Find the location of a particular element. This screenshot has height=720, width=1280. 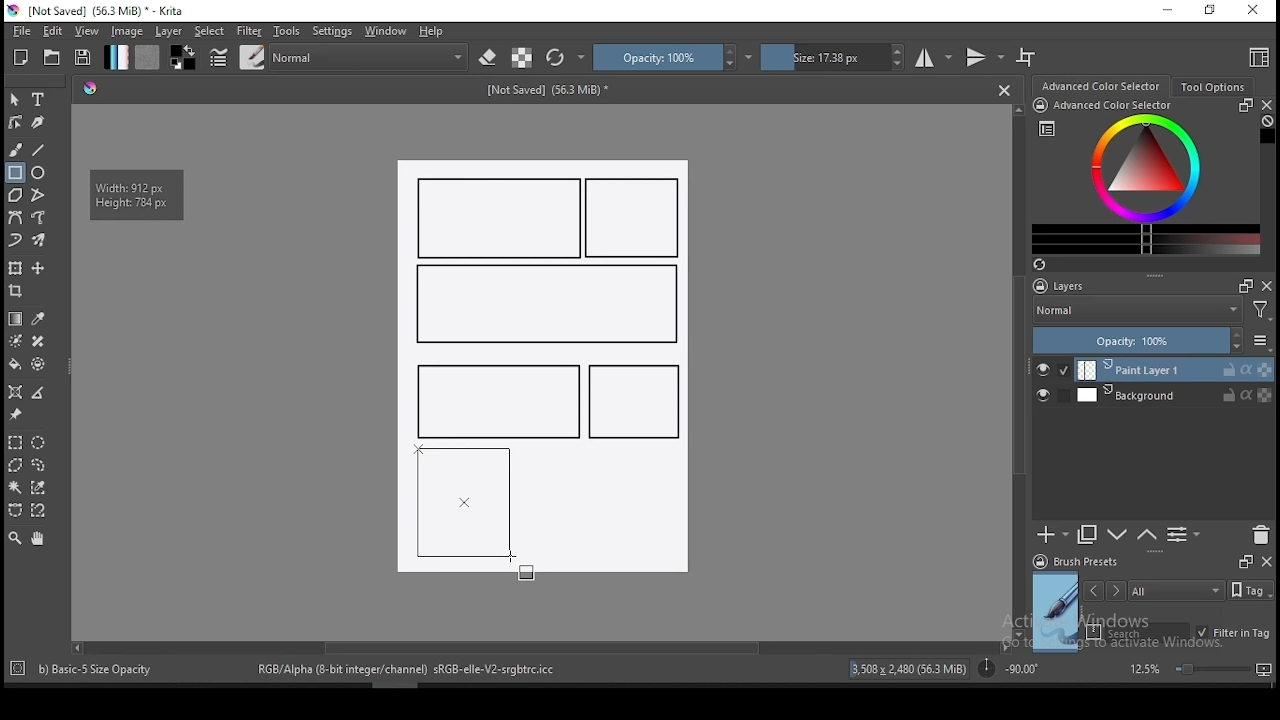

tools is located at coordinates (287, 31).